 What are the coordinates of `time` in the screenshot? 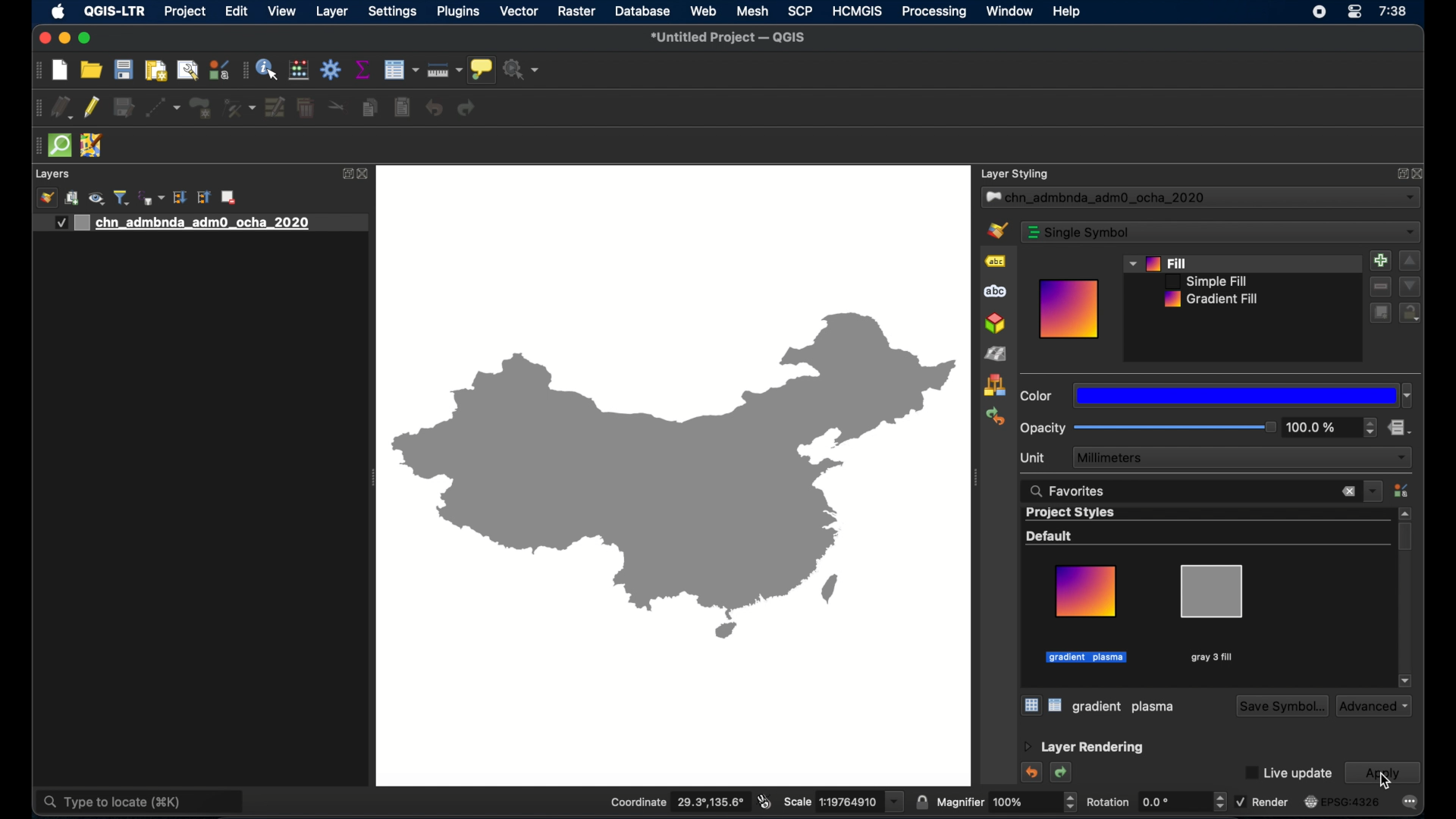 It's located at (1394, 11).